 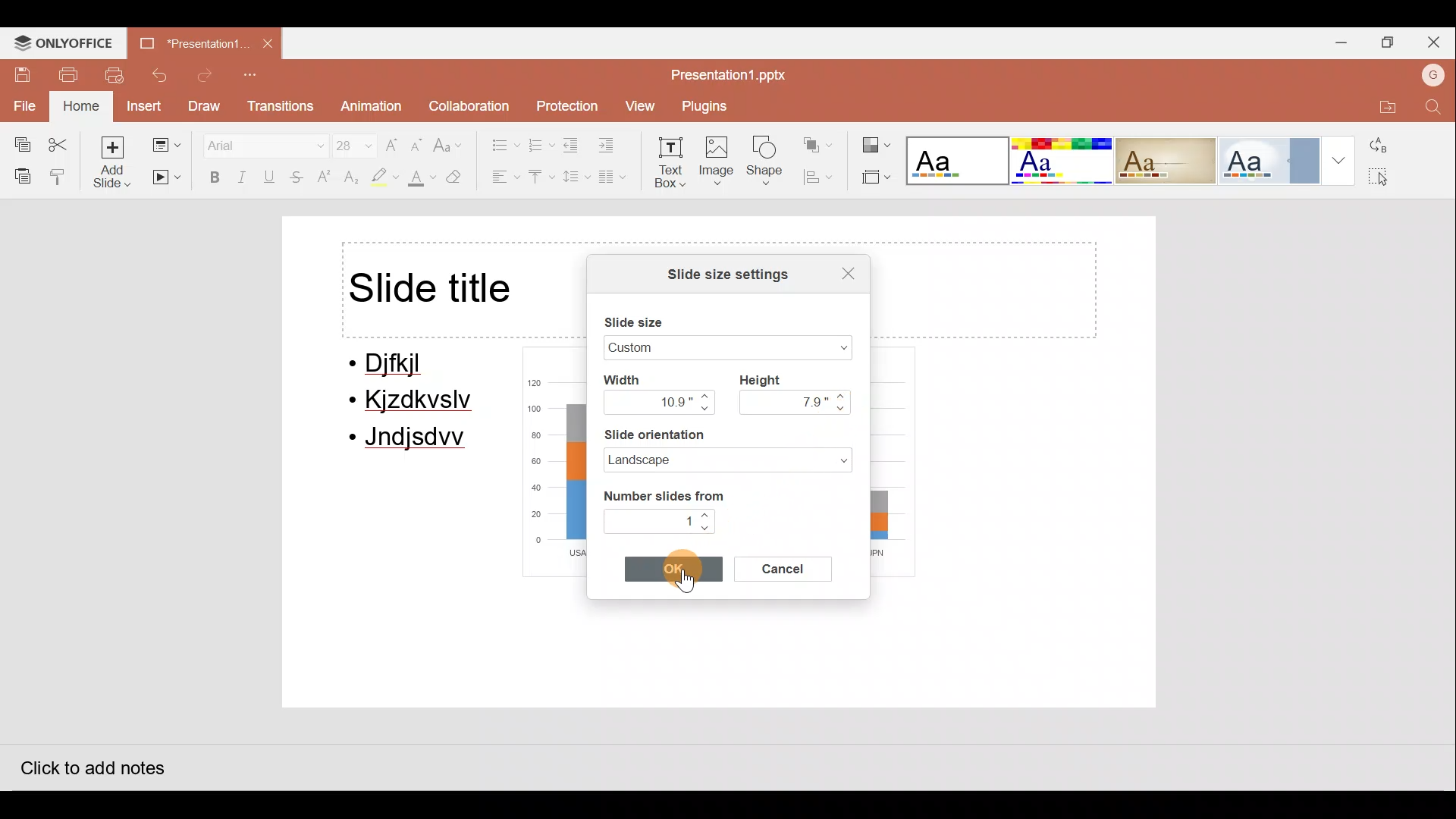 I want to click on Font size, so click(x=346, y=142).